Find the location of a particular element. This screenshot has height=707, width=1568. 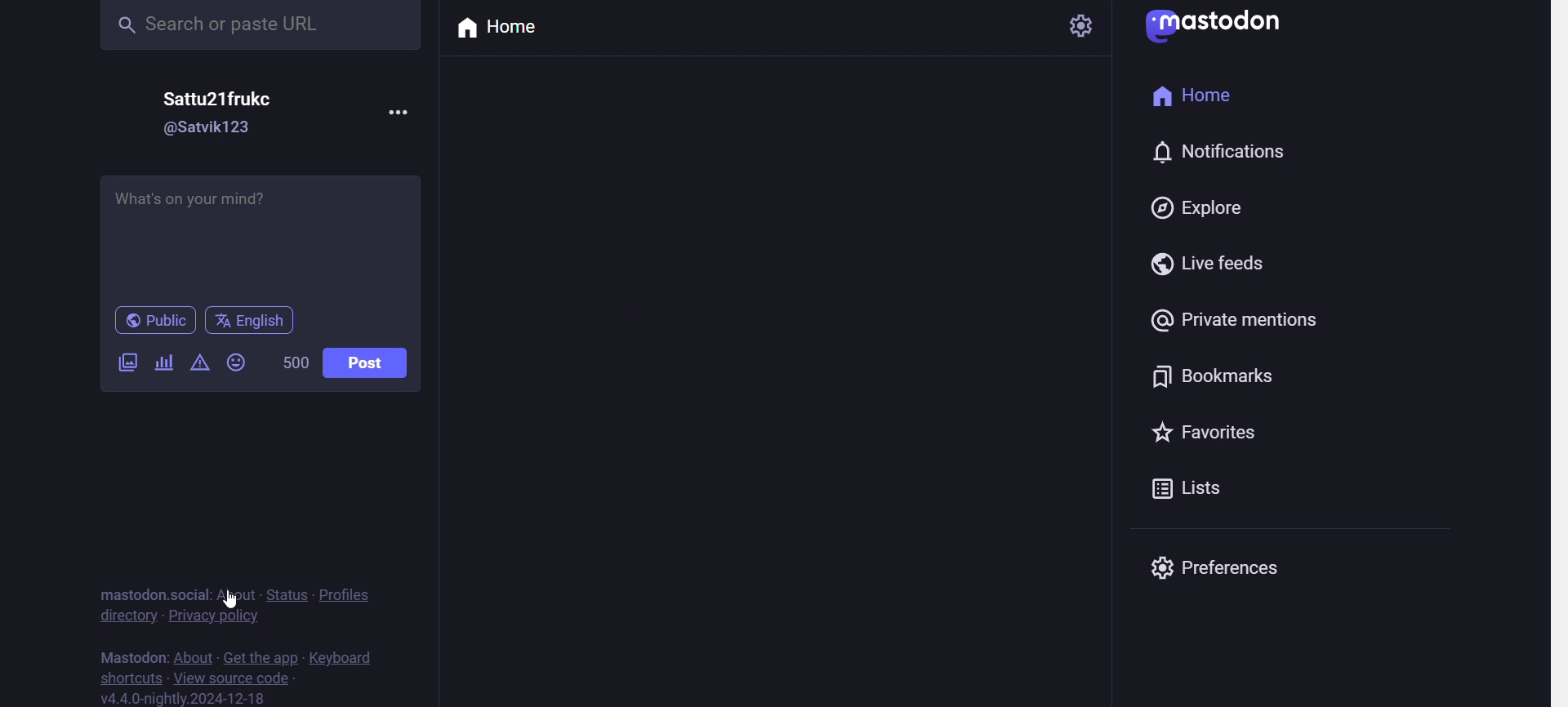

version is located at coordinates (186, 698).